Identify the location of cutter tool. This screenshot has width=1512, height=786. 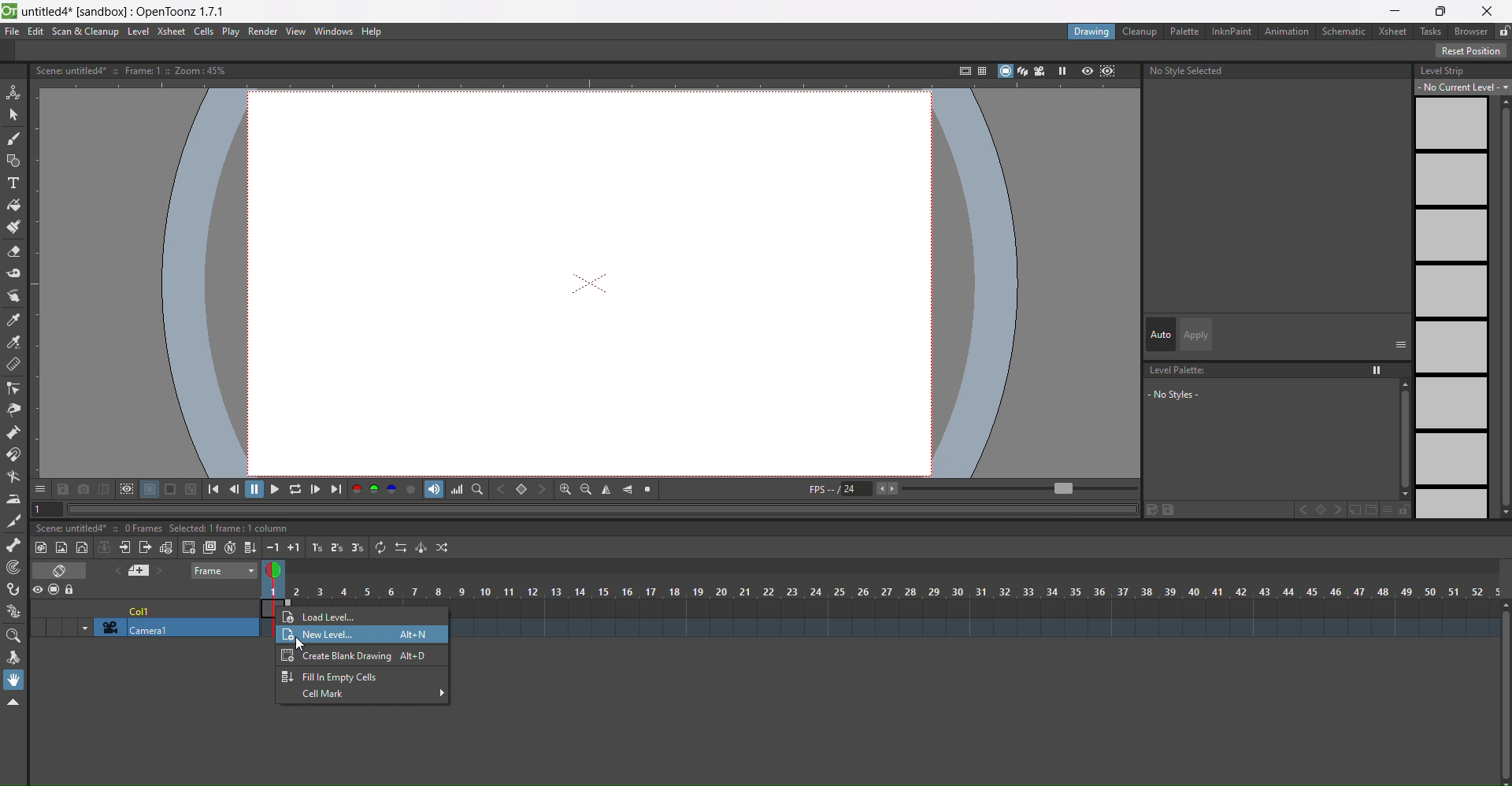
(12, 522).